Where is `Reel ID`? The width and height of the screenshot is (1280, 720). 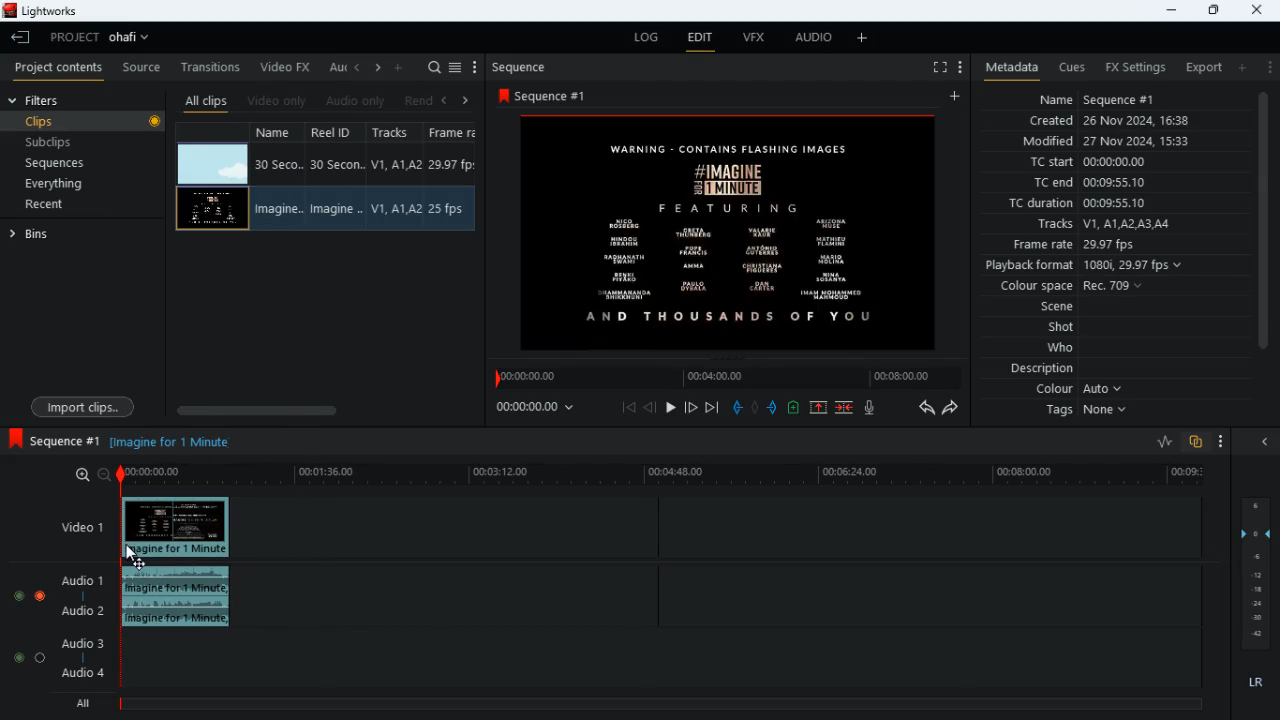 Reel ID is located at coordinates (336, 209).